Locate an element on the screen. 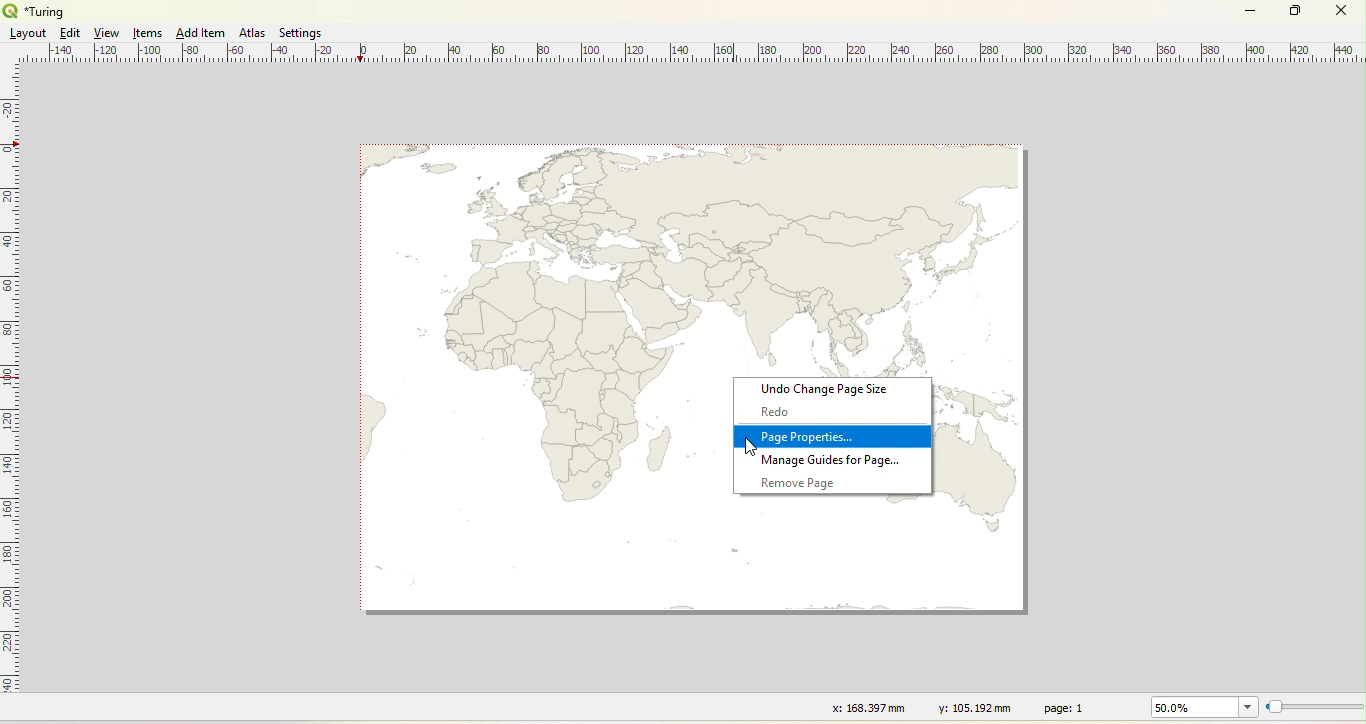 The height and width of the screenshot is (724, 1366). y: 105.192 mm is located at coordinates (968, 707).